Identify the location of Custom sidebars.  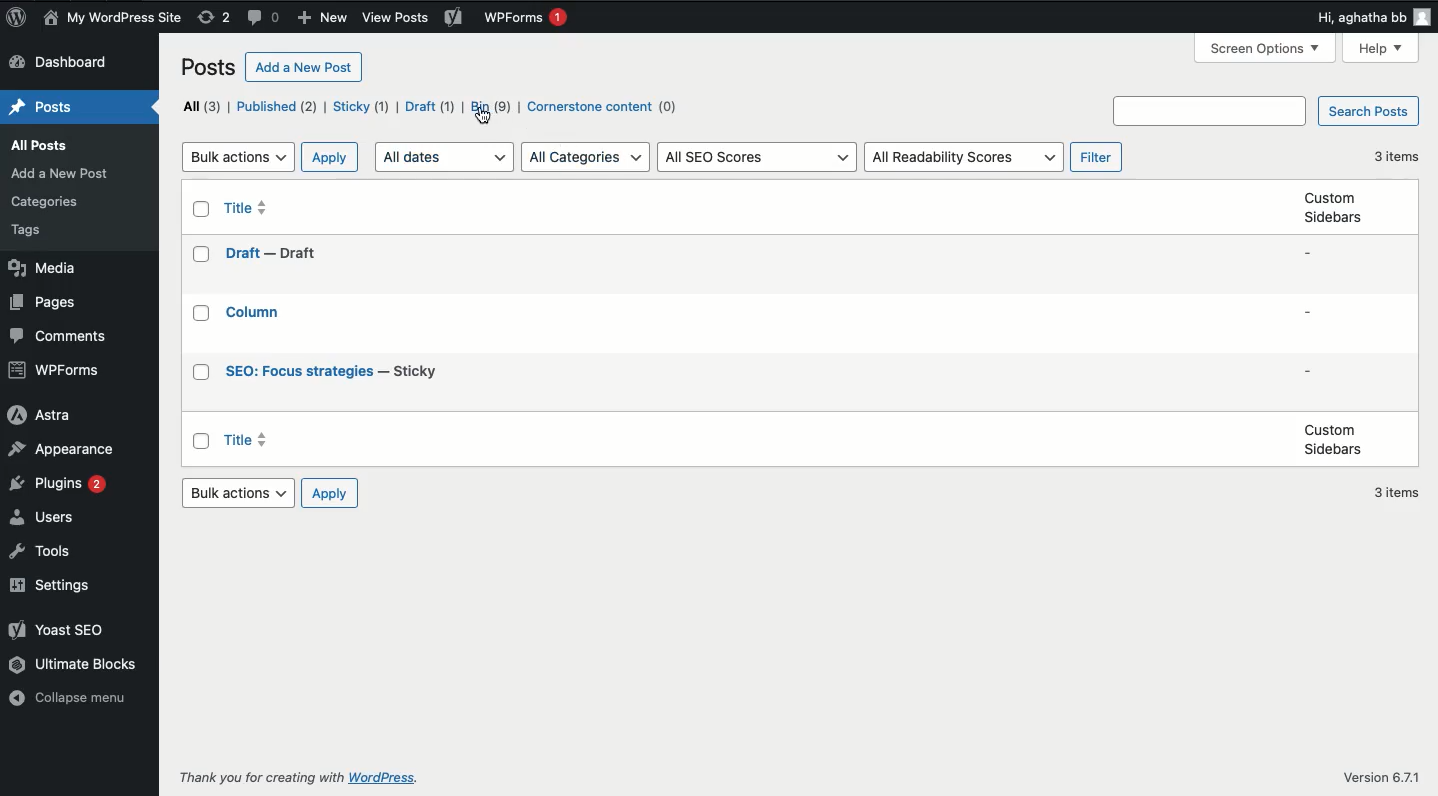
(1334, 438).